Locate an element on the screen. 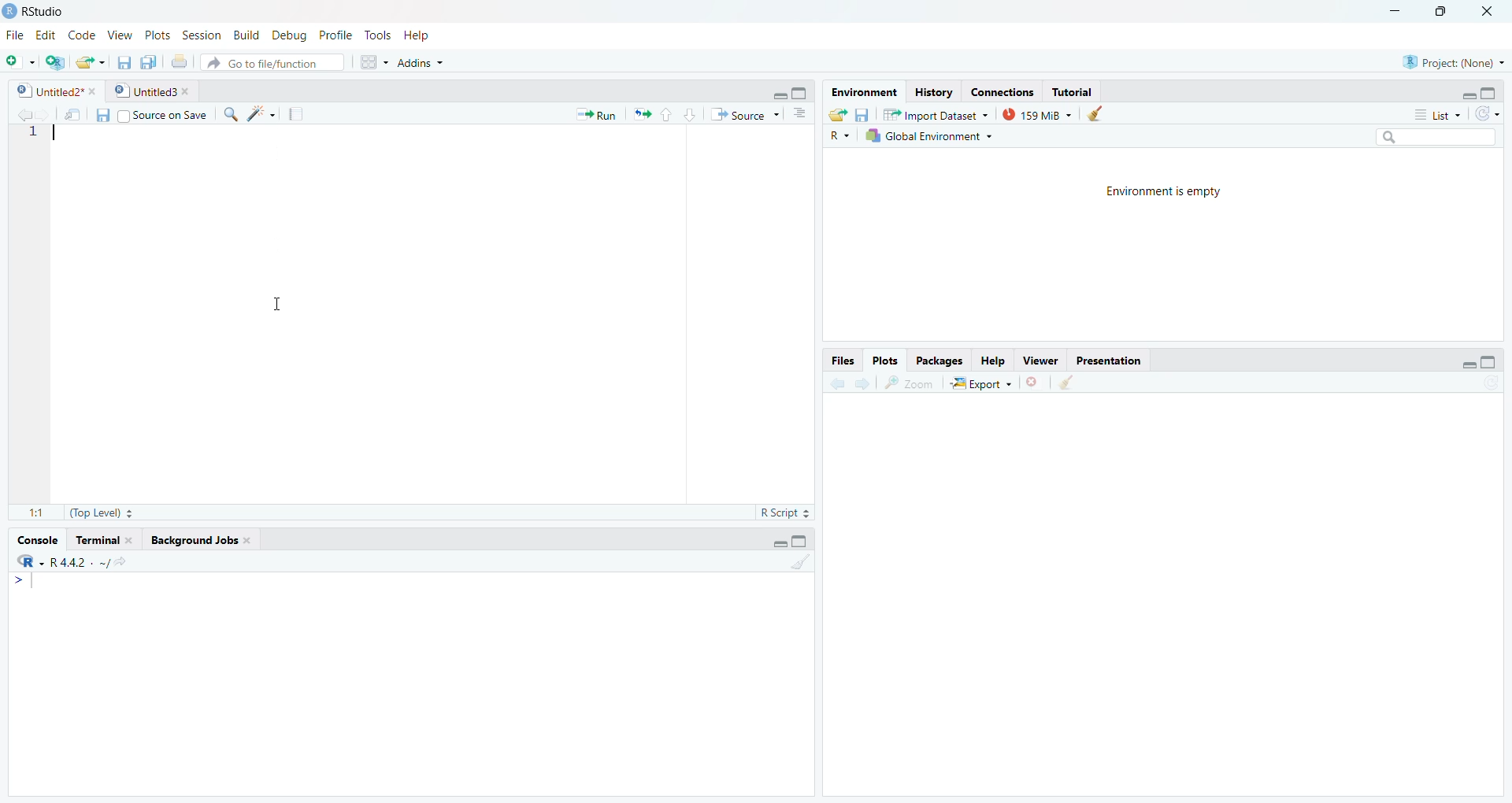  Profile is located at coordinates (334, 35).